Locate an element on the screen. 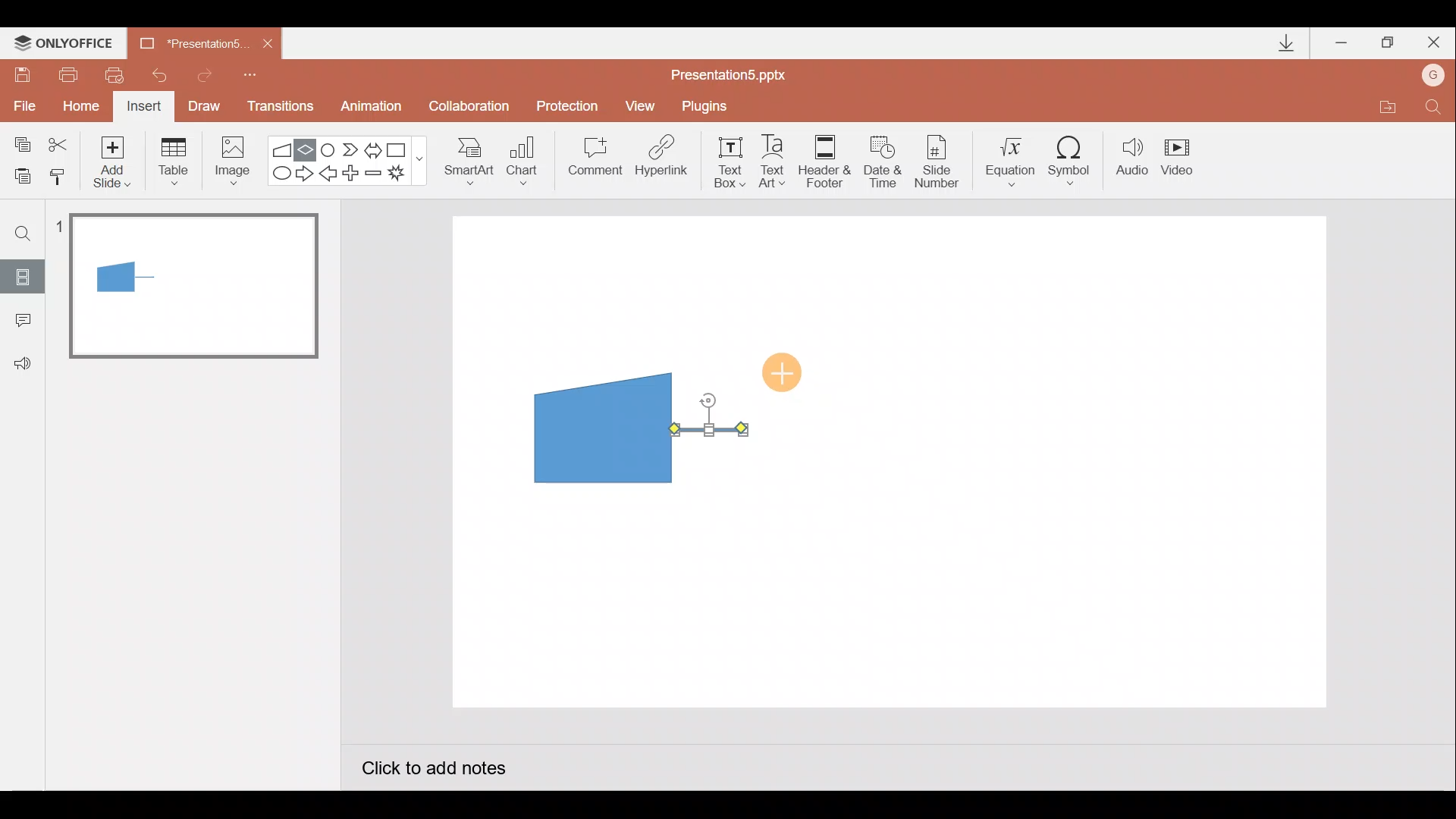  Account name is located at coordinates (1434, 77).